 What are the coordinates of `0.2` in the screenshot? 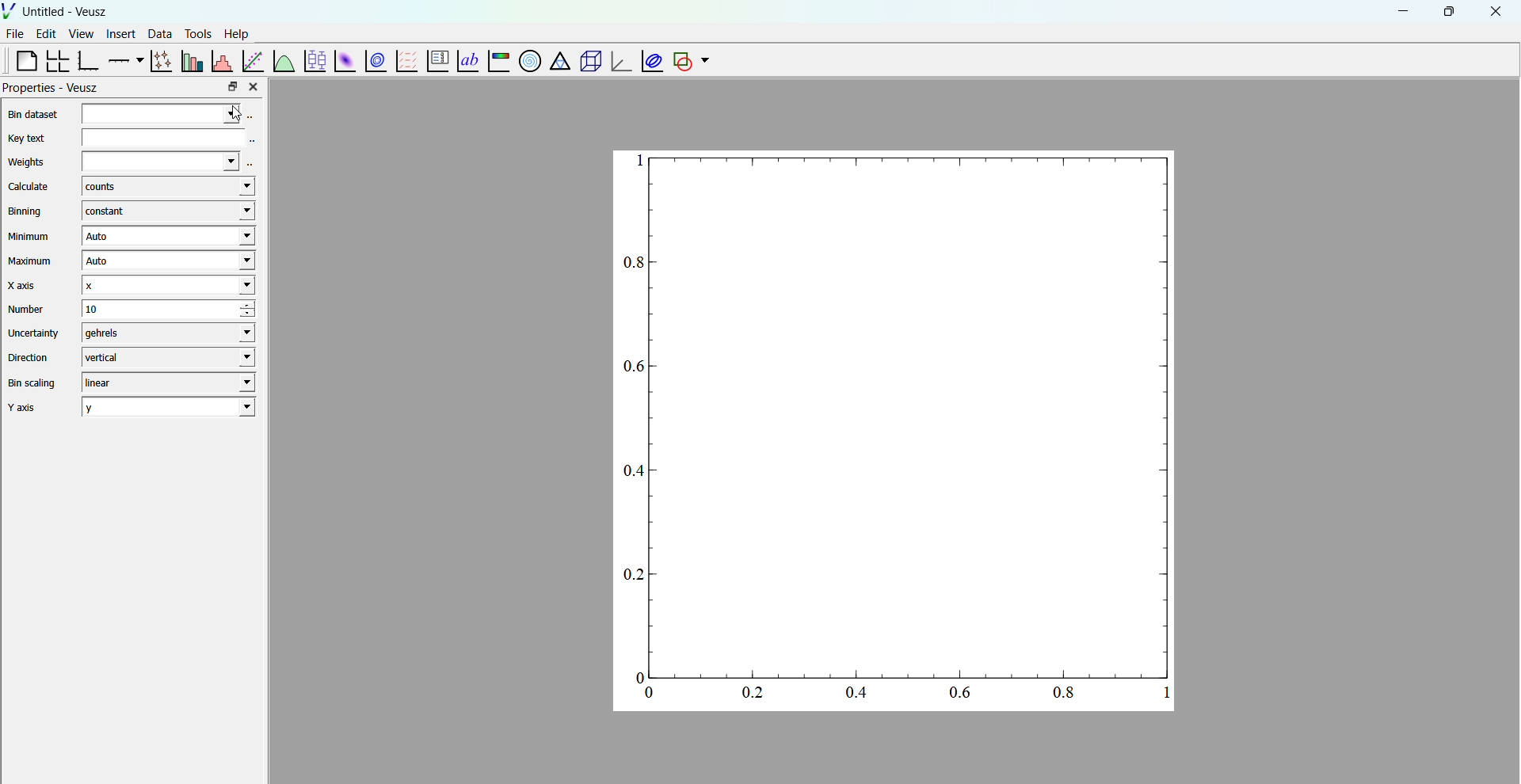 It's located at (749, 691).